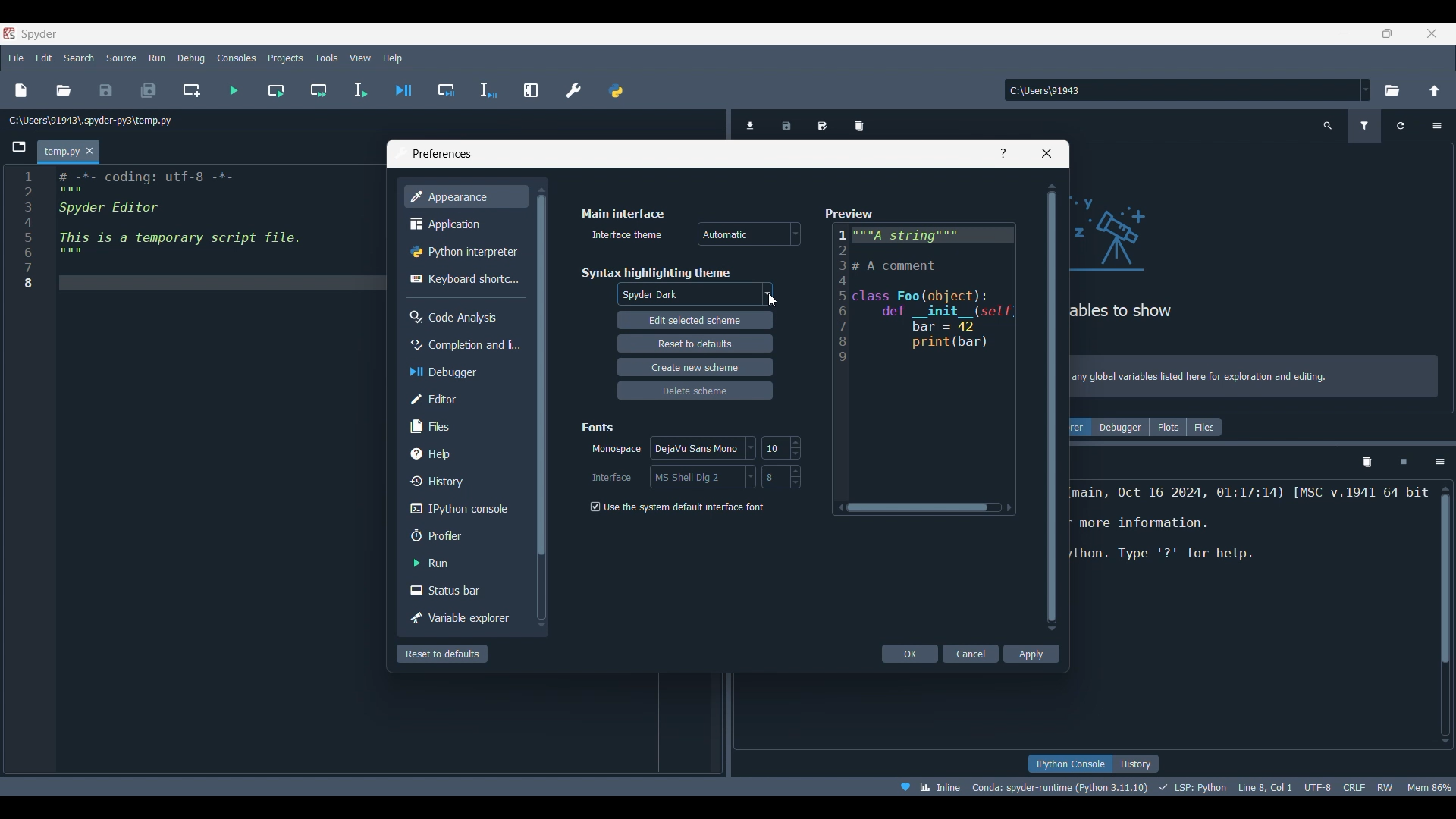  What do you see at coordinates (325, 58) in the screenshot?
I see `Tools menu` at bounding box center [325, 58].